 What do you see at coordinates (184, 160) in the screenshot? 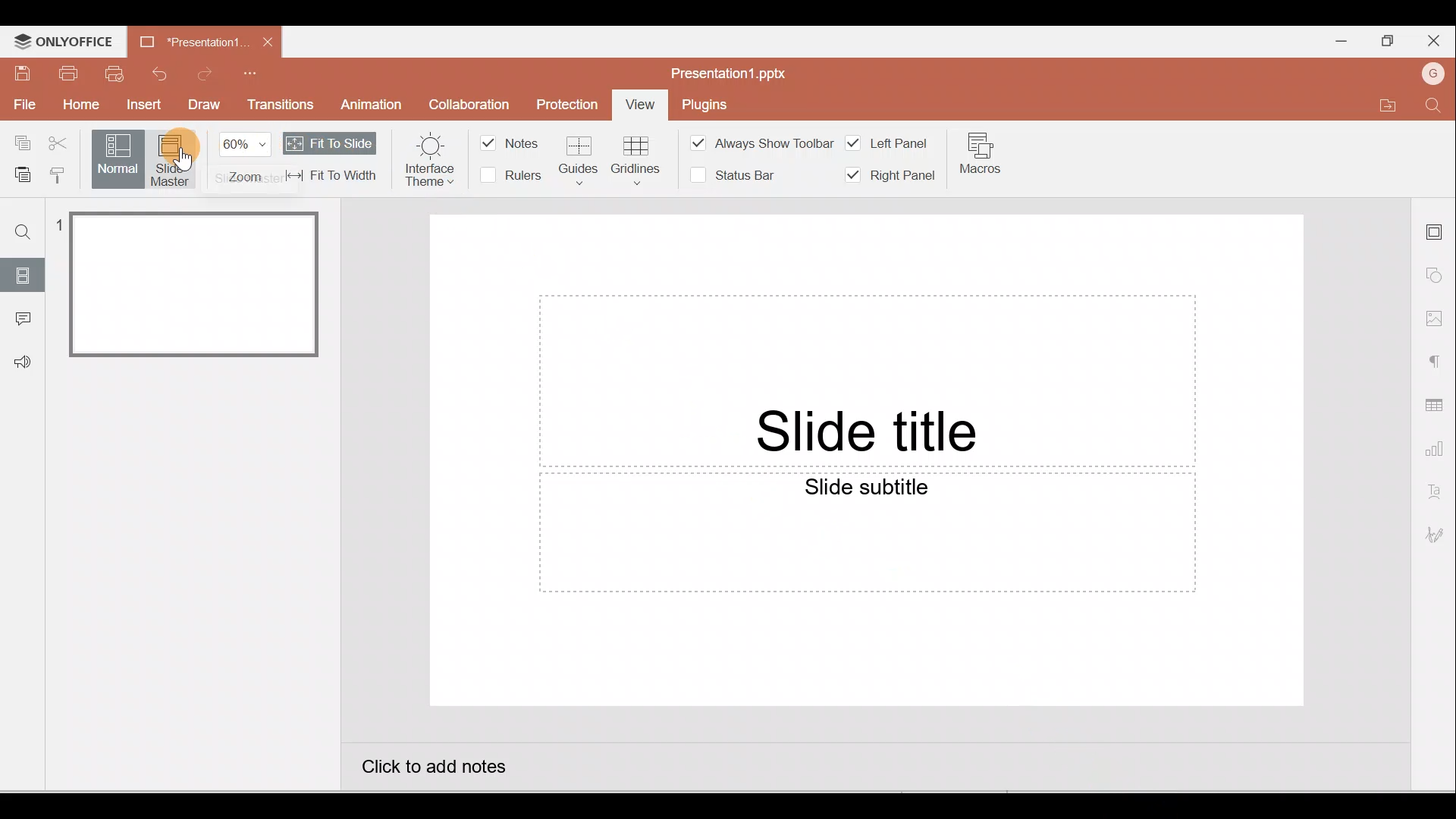
I see `hand cursor` at bounding box center [184, 160].